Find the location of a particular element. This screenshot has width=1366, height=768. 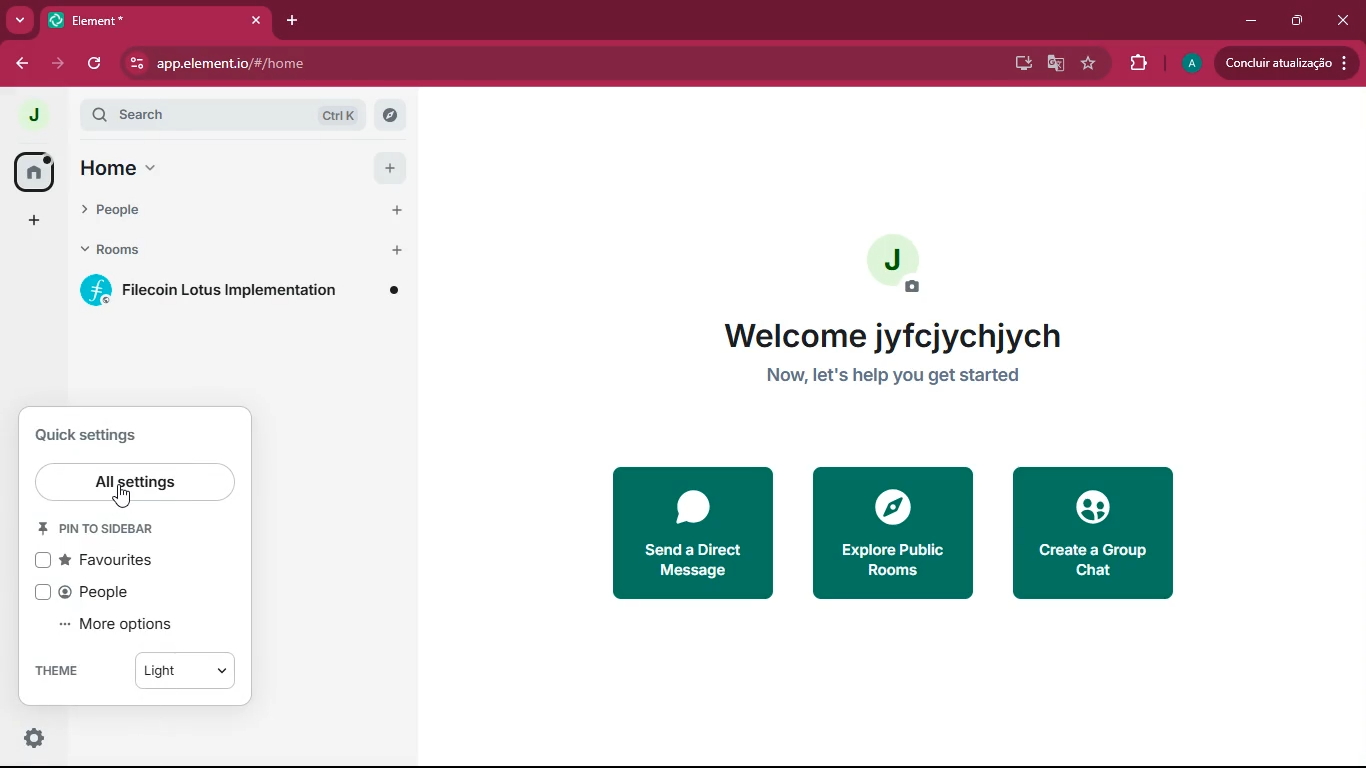

tab is located at coordinates (145, 21).